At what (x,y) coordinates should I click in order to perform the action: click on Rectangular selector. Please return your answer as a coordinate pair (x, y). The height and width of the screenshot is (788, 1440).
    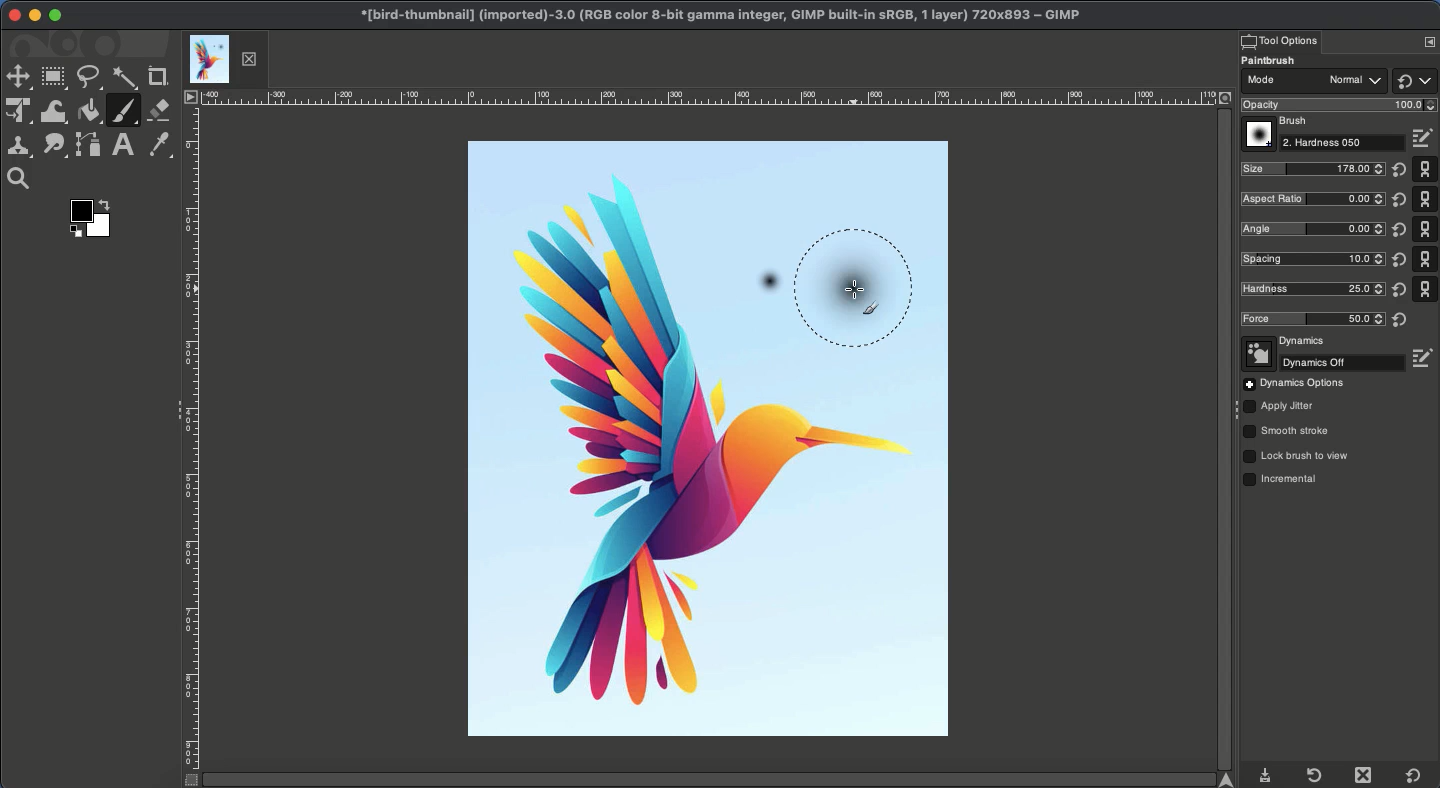
    Looking at the image, I should click on (53, 78).